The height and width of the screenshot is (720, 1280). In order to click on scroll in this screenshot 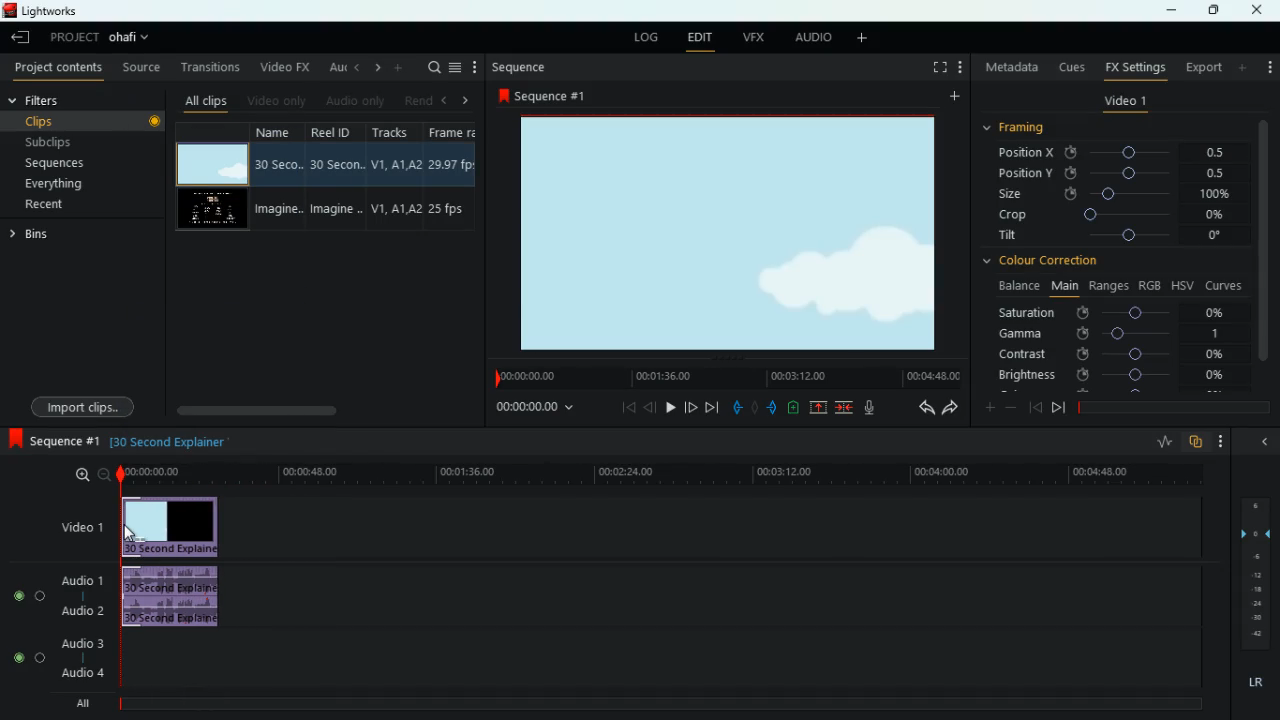, I will do `click(300, 407)`.